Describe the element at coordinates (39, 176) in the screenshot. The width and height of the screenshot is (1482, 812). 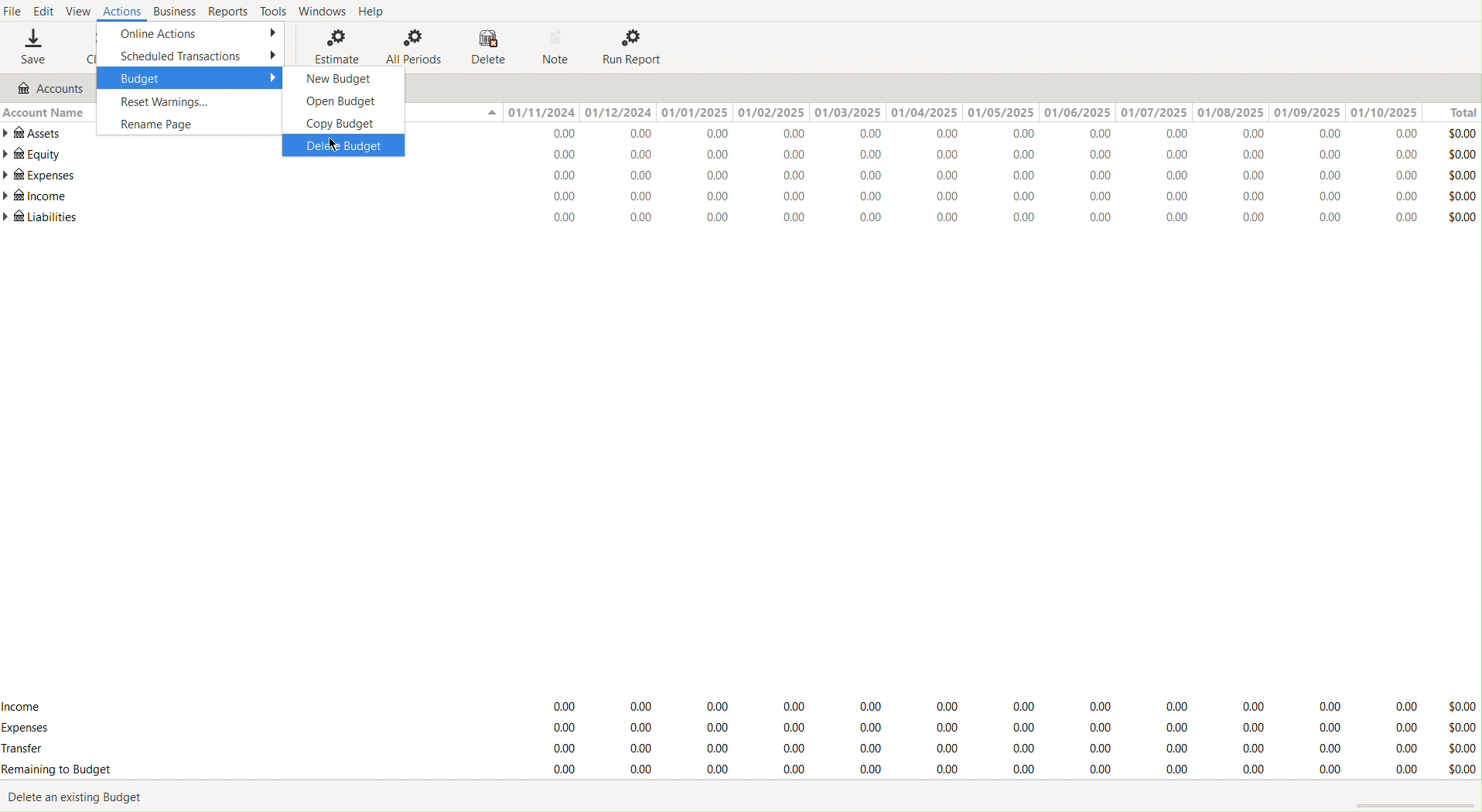
I see `Expenses` at that location.